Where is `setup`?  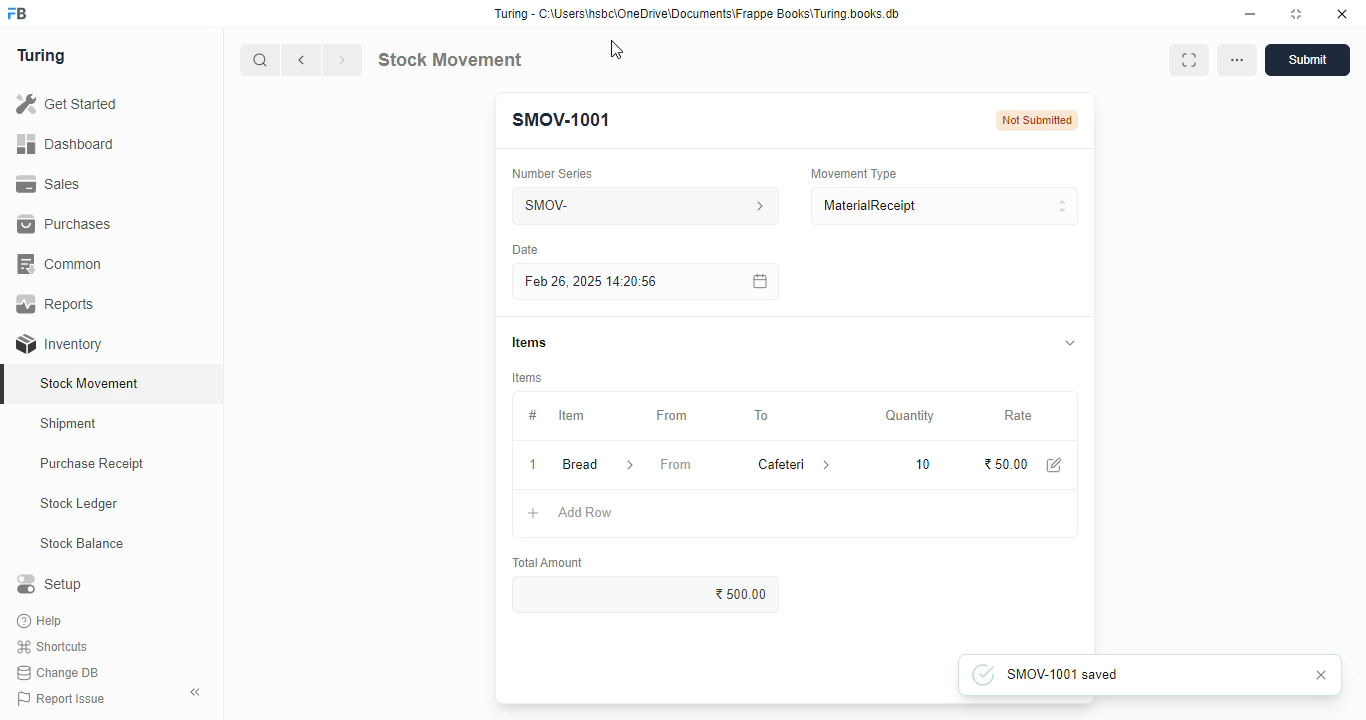
setup is located at coordinates (49, 583).